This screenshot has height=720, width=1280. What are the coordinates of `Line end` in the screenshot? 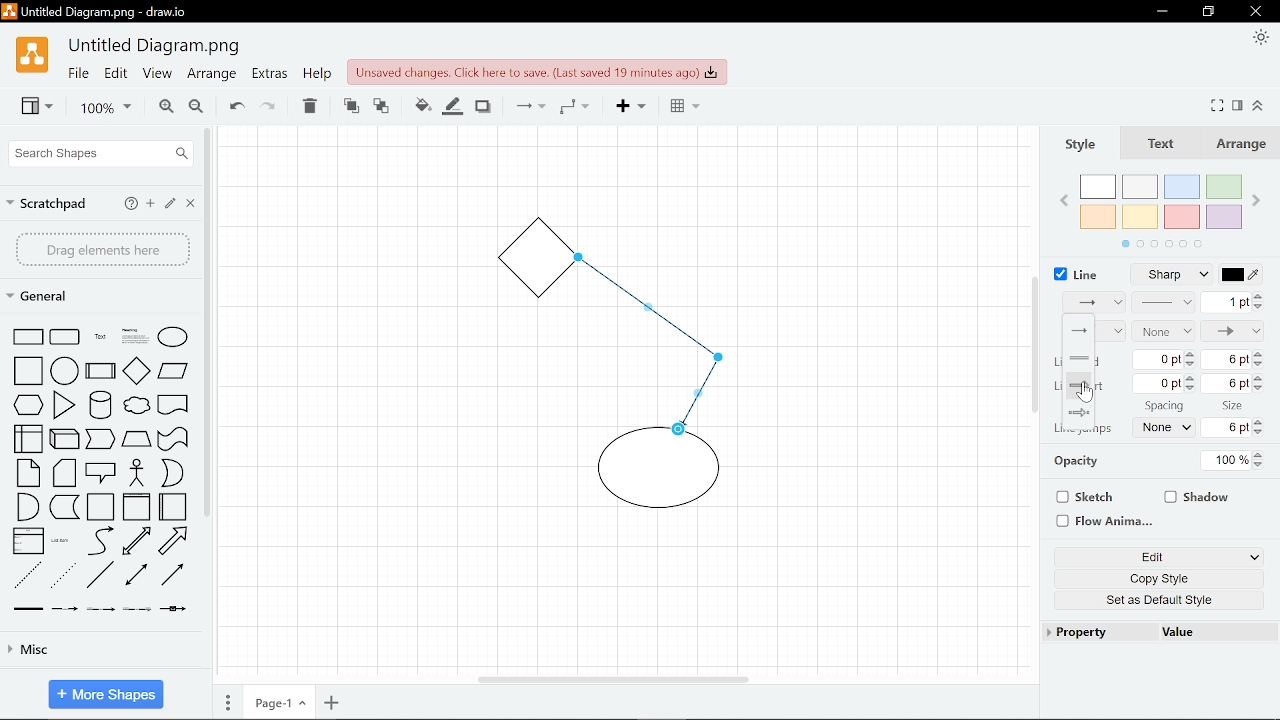 It's located at (1233, 330).